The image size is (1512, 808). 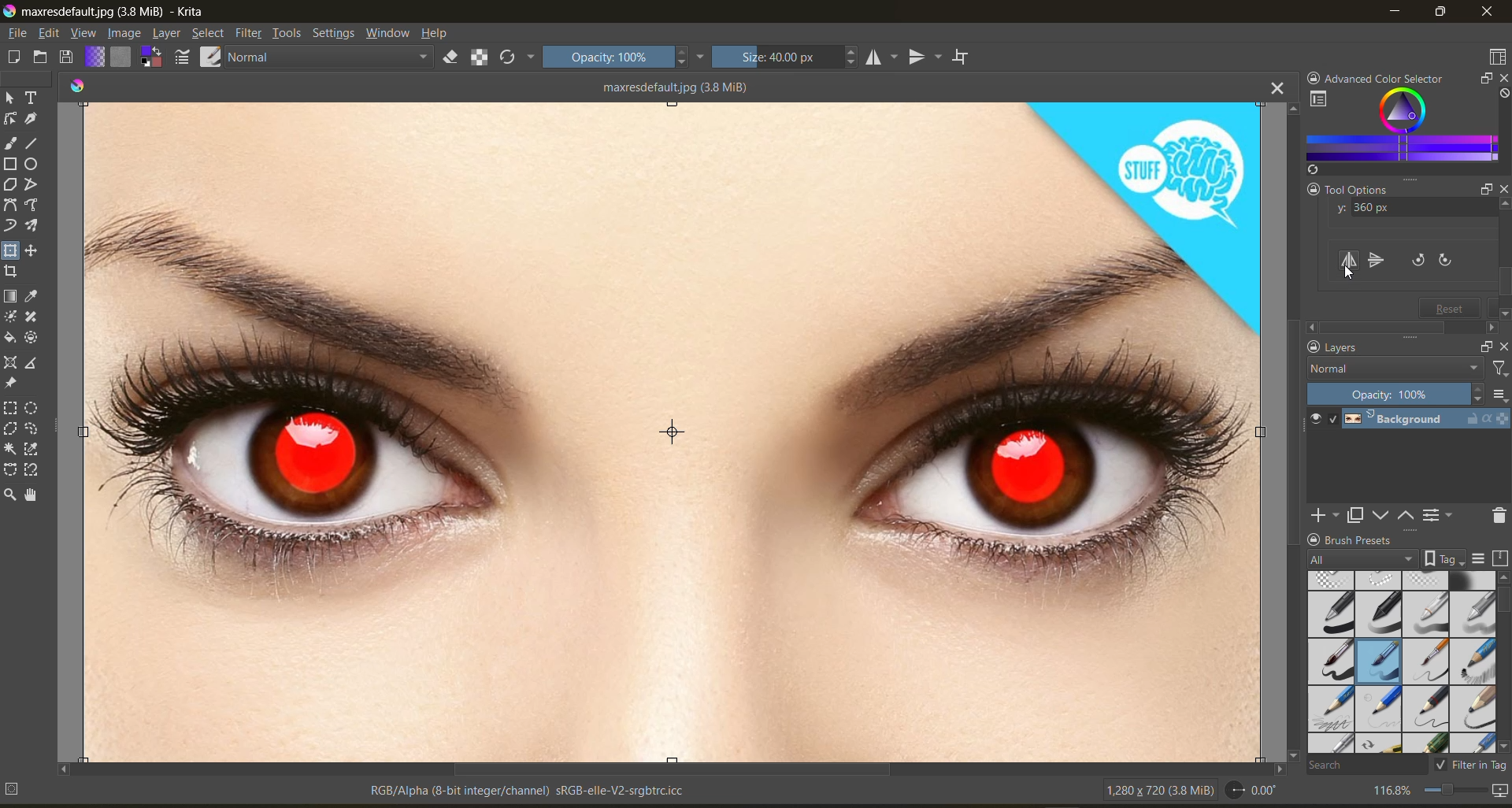 What do you see at coordinates (518, 60) in the screenshot?
I see `reload original preset` at bounding box center [518, 60].